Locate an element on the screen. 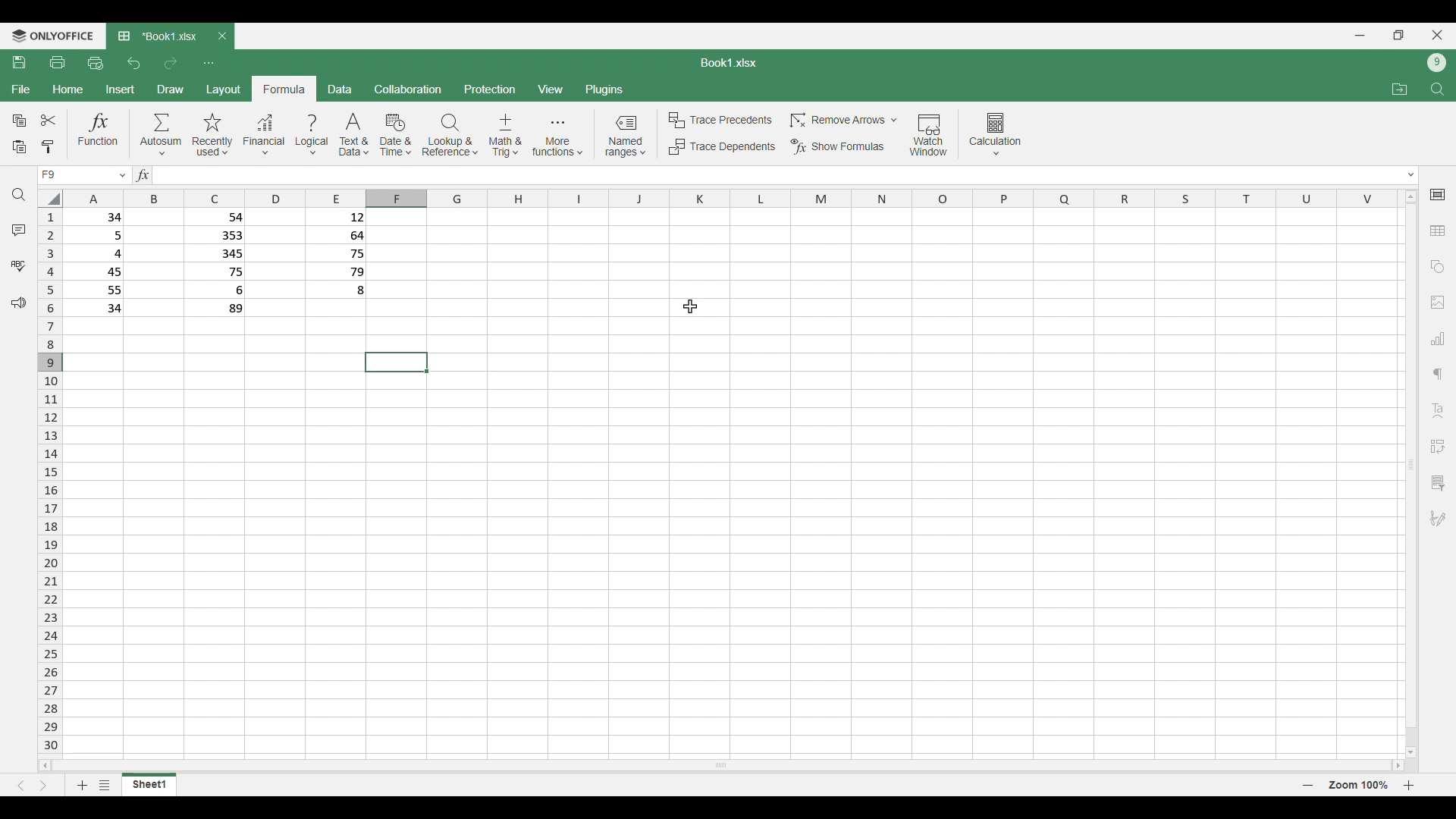  Clone formatting is located at coordinates (47, 148).